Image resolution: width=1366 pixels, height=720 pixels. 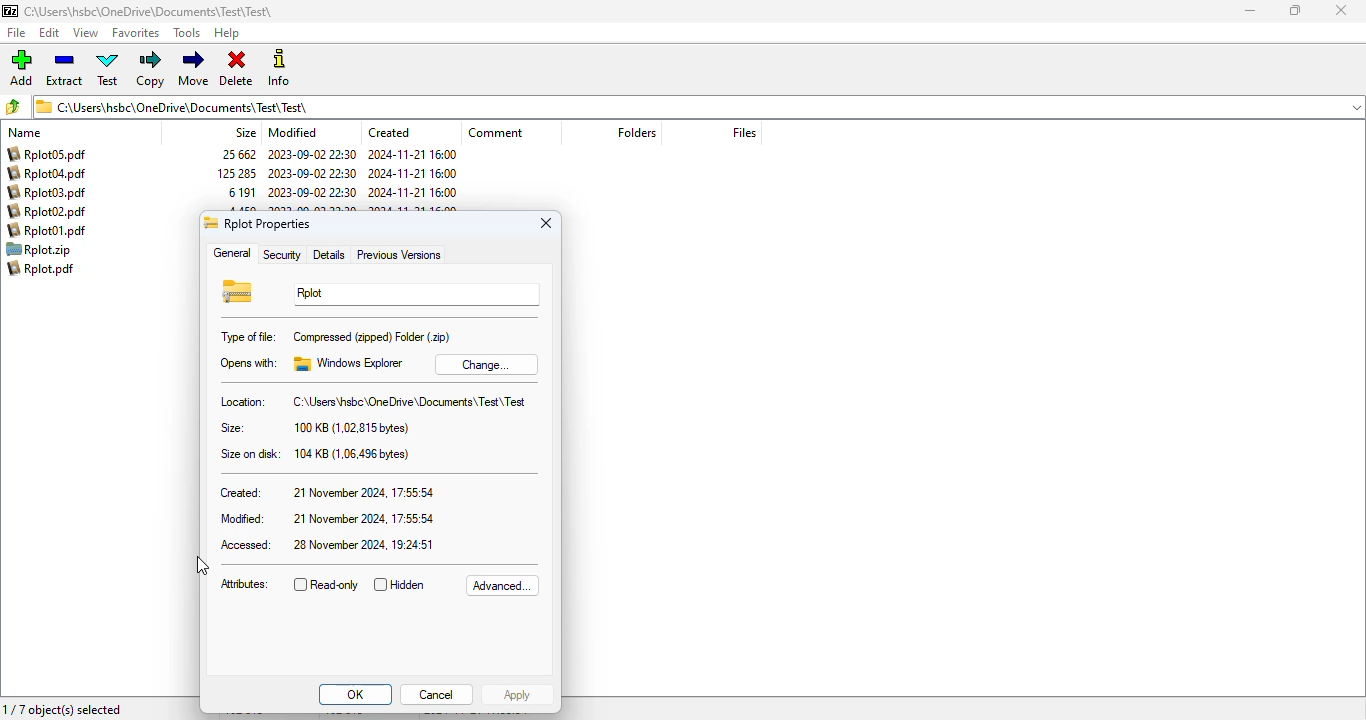 I want to click on help, so click(x=226, y=34).